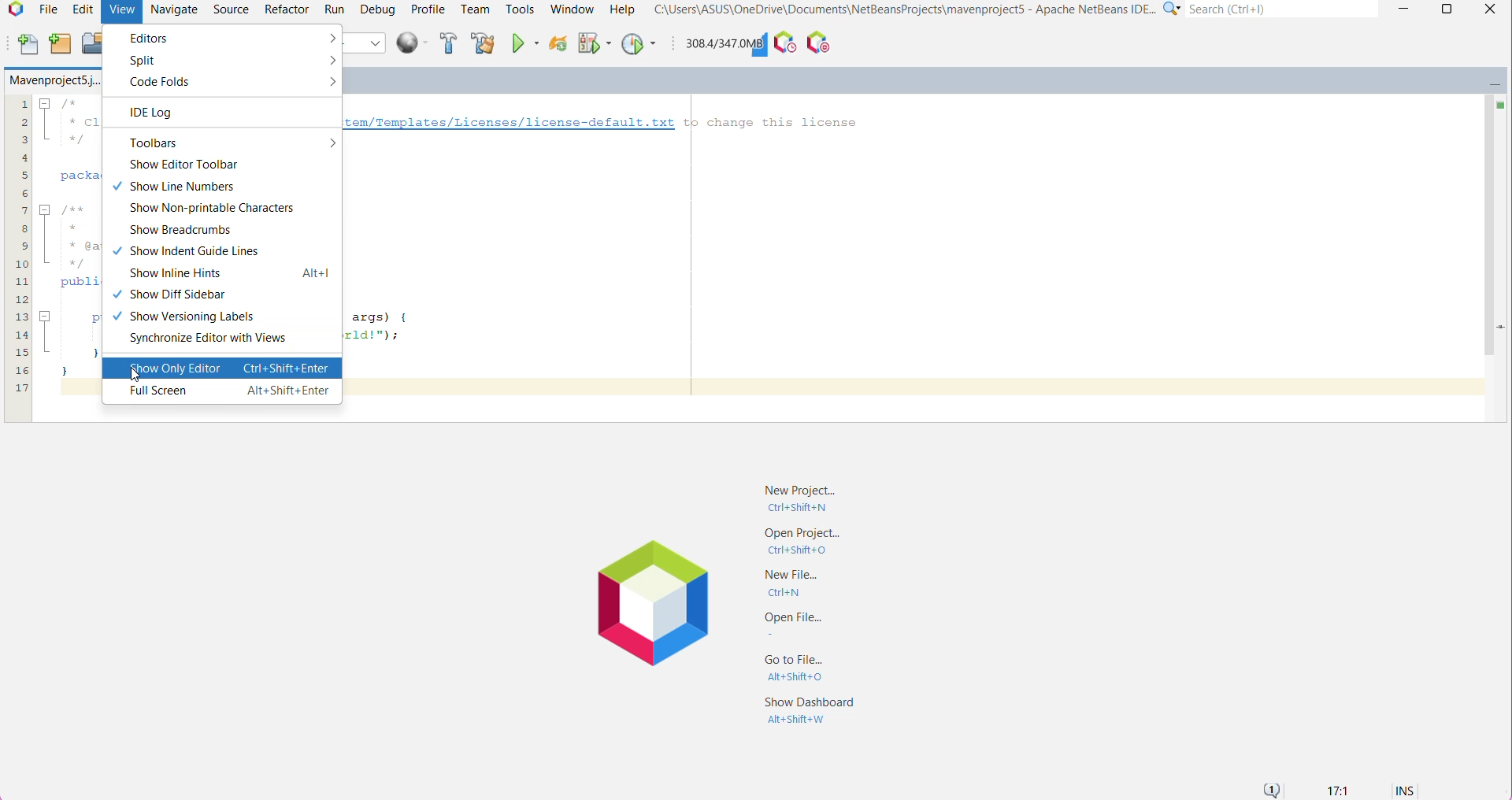 Image resolution: width=1512 pixels, height=800 pixels. What do you see at coordinates (335, 9) in the screenshot?
I see `Run` at bounding box center [335, 9].